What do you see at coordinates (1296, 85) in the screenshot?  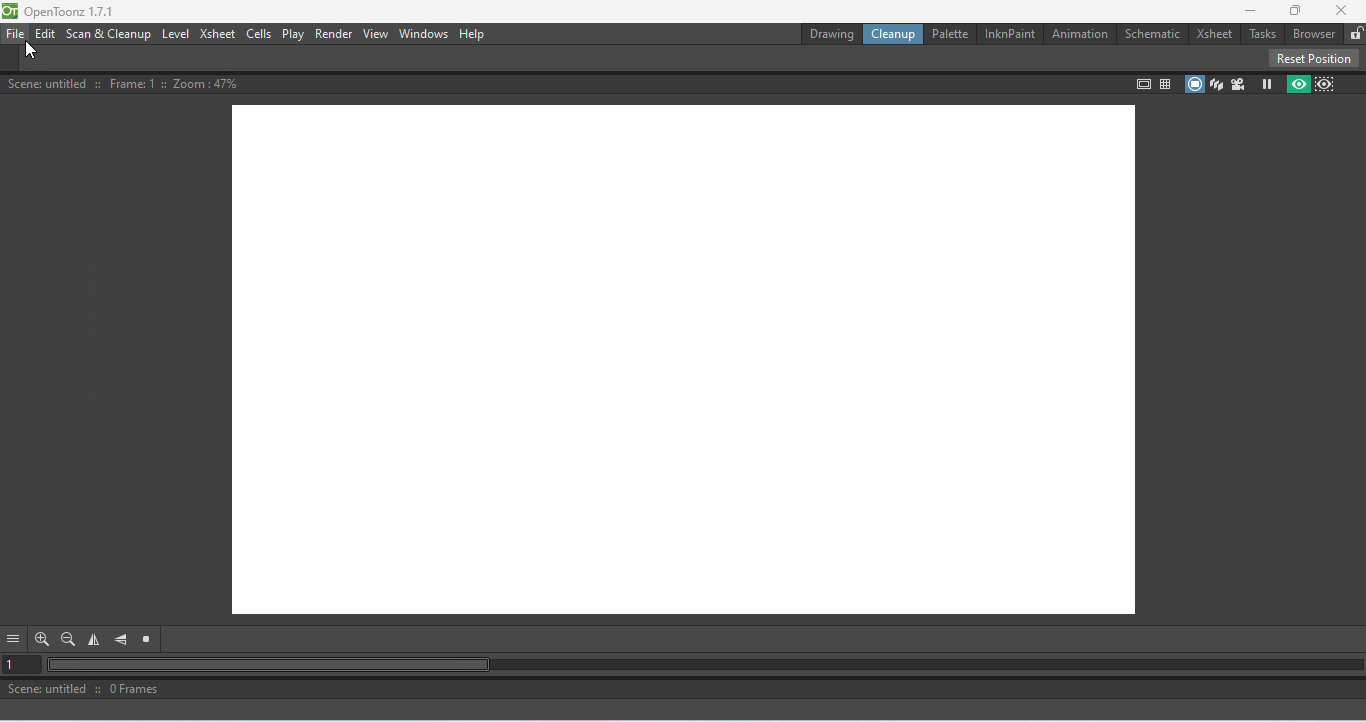 I see `Preview` at bounding box center [1296, 85].